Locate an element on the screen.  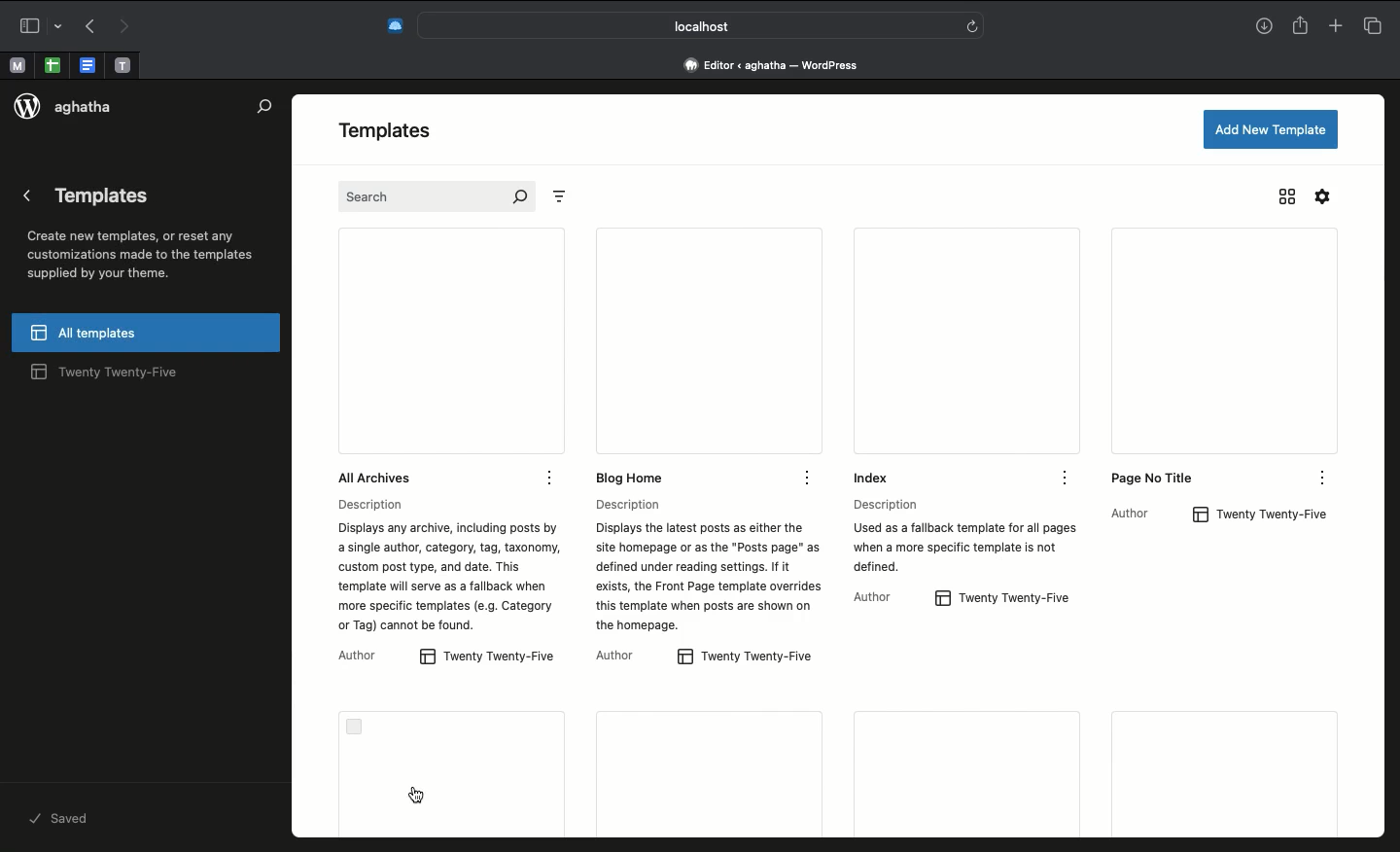
saved is located at coordinates (73, 817).